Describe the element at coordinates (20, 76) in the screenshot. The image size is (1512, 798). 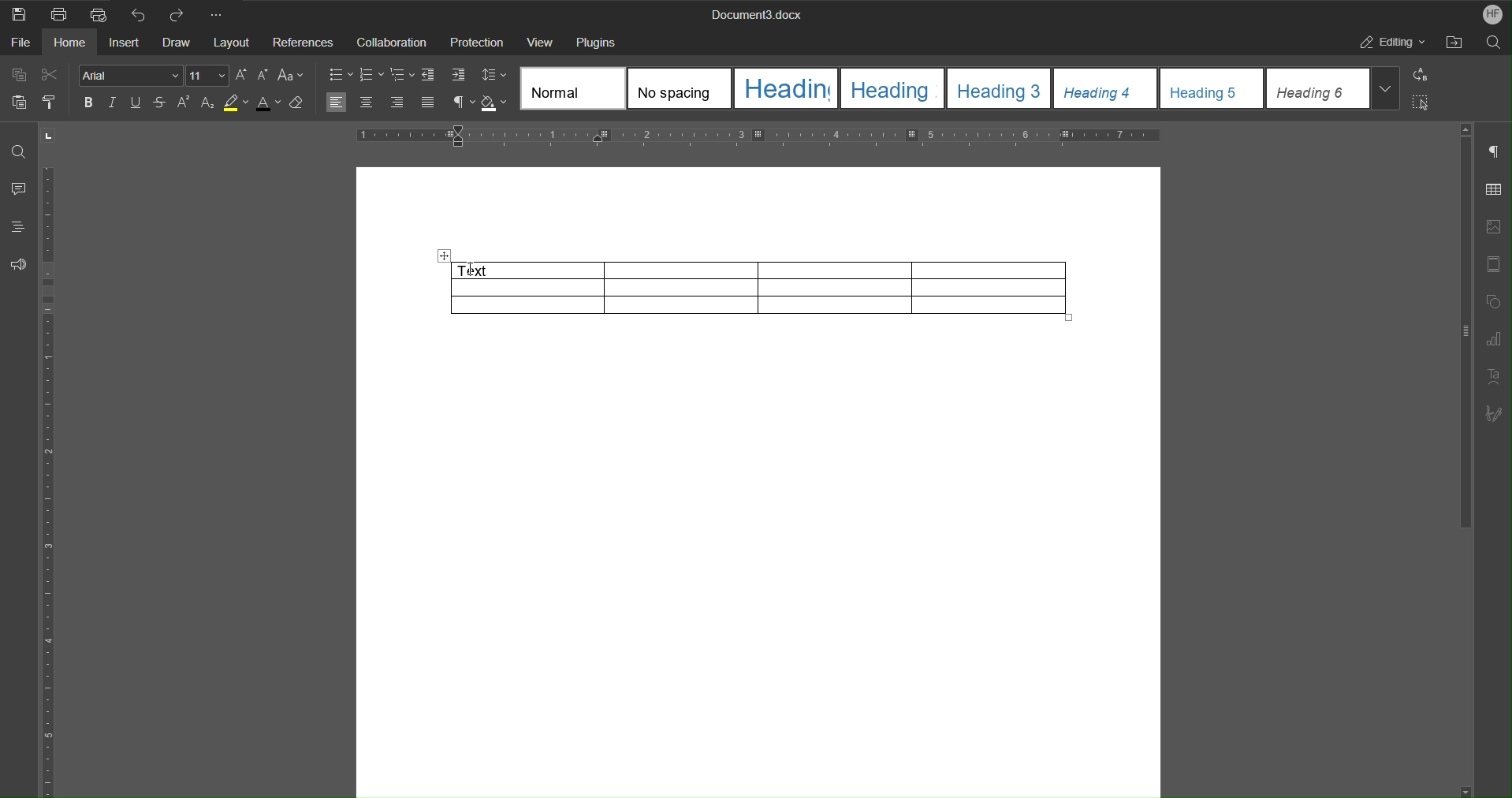
I see `Copy` at that location.